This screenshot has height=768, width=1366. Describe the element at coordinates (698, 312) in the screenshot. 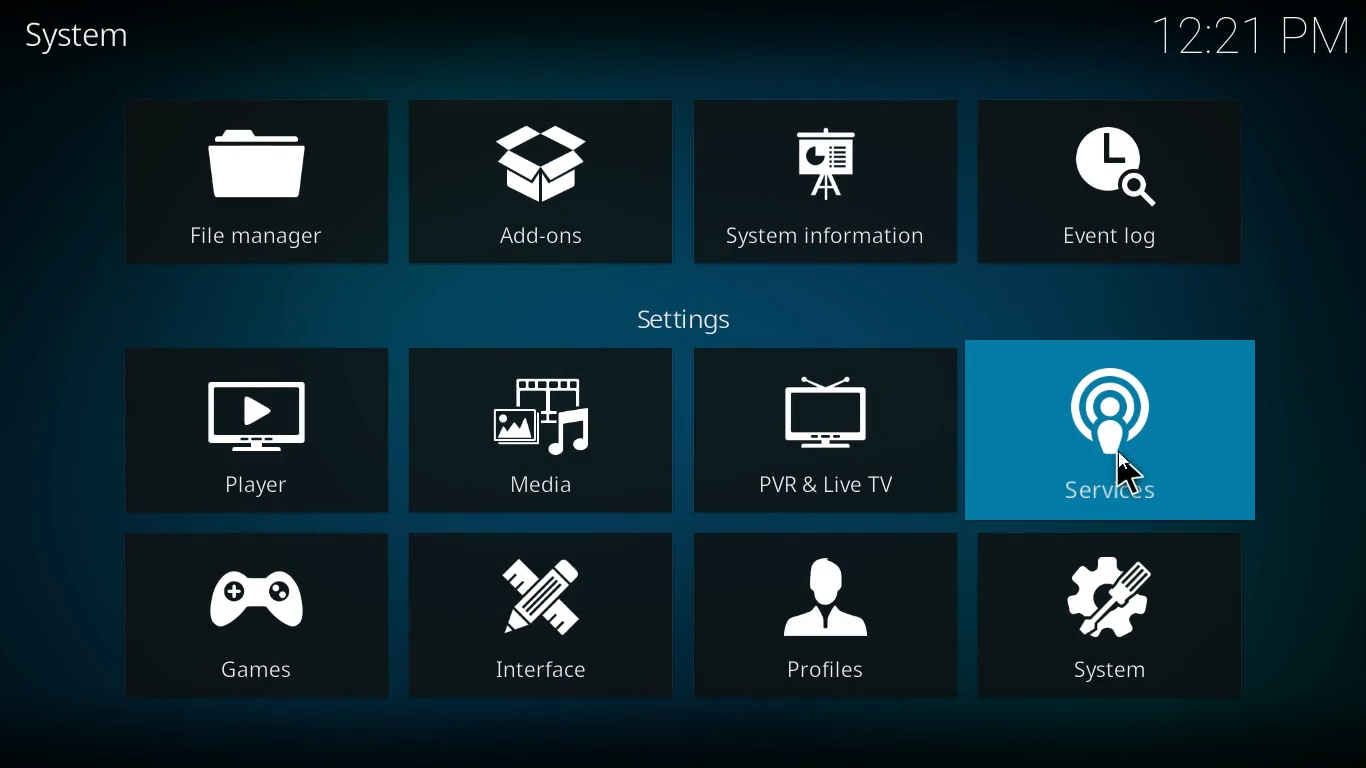

I see `settings` at that location.